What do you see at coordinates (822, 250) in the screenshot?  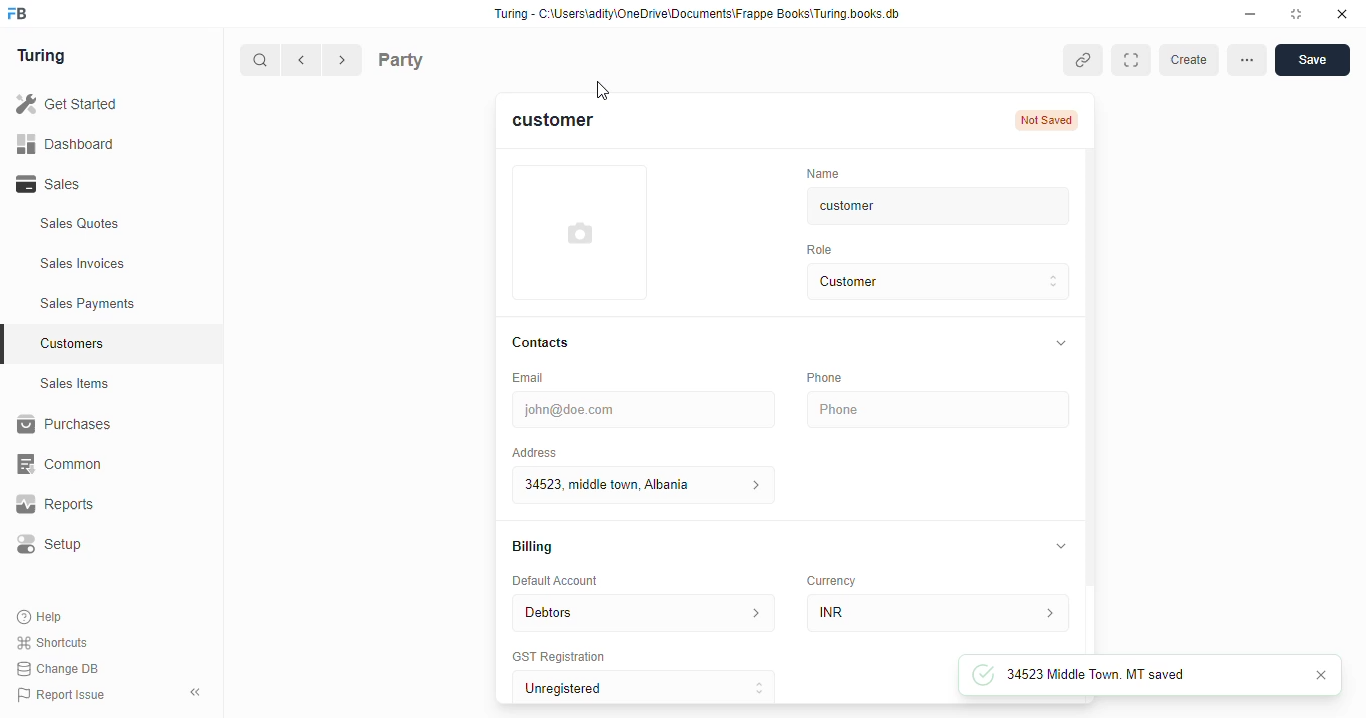 I see `Role` at bounding box center [822, 250].